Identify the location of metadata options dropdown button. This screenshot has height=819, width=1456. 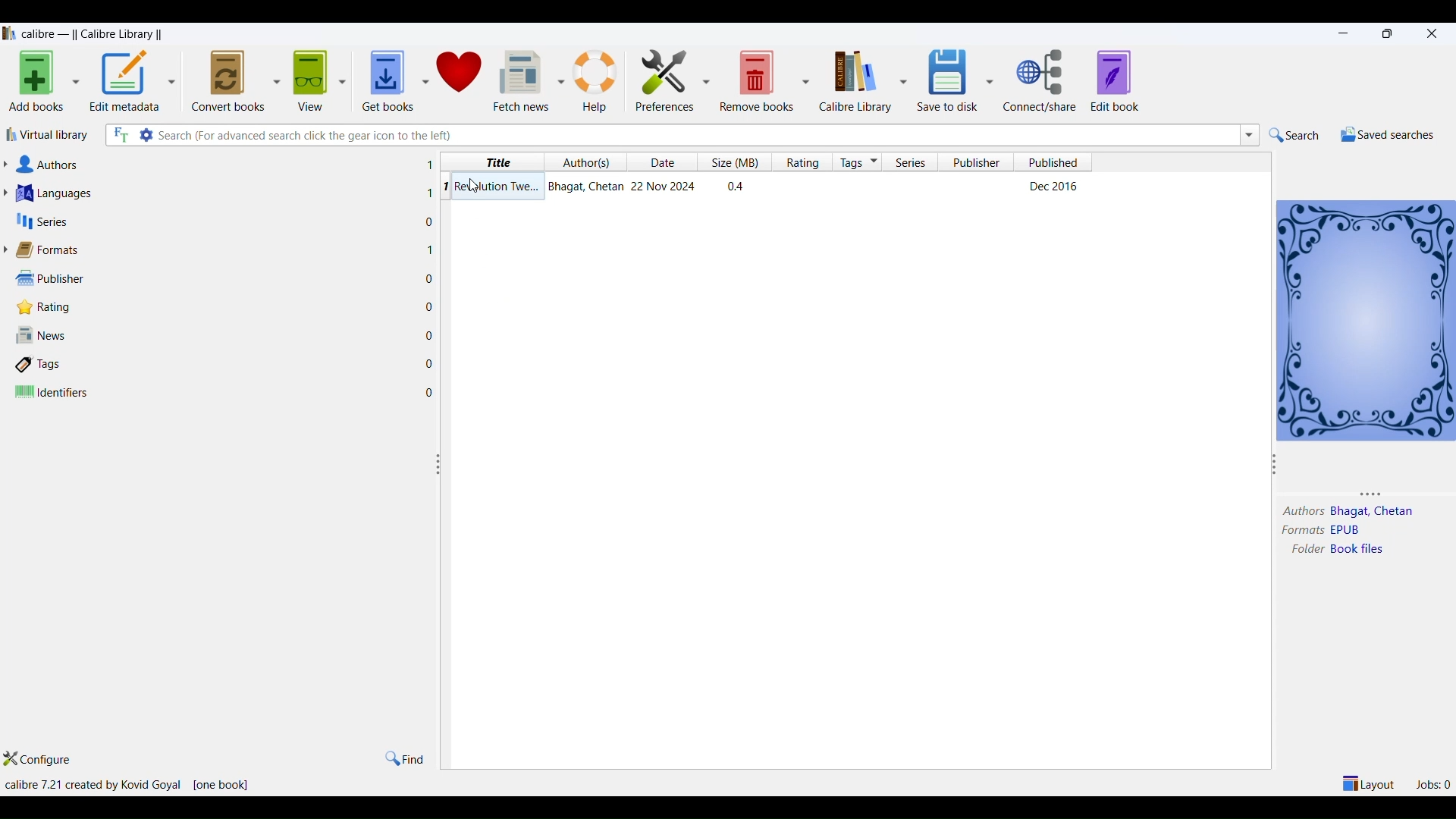
(176, 79).